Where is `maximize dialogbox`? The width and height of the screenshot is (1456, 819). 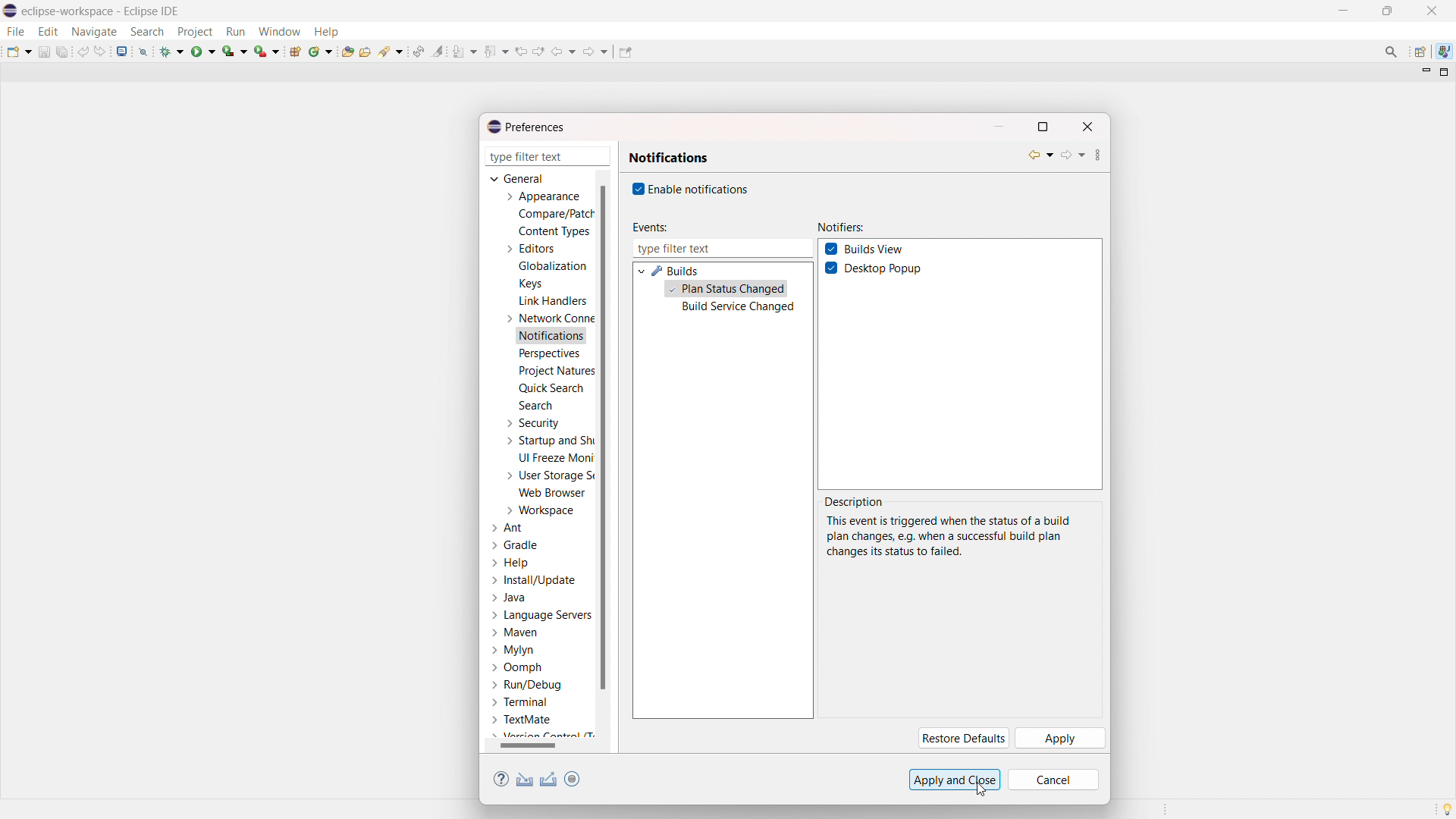
maximize dialogbox is located at coordinates (1042, 127).